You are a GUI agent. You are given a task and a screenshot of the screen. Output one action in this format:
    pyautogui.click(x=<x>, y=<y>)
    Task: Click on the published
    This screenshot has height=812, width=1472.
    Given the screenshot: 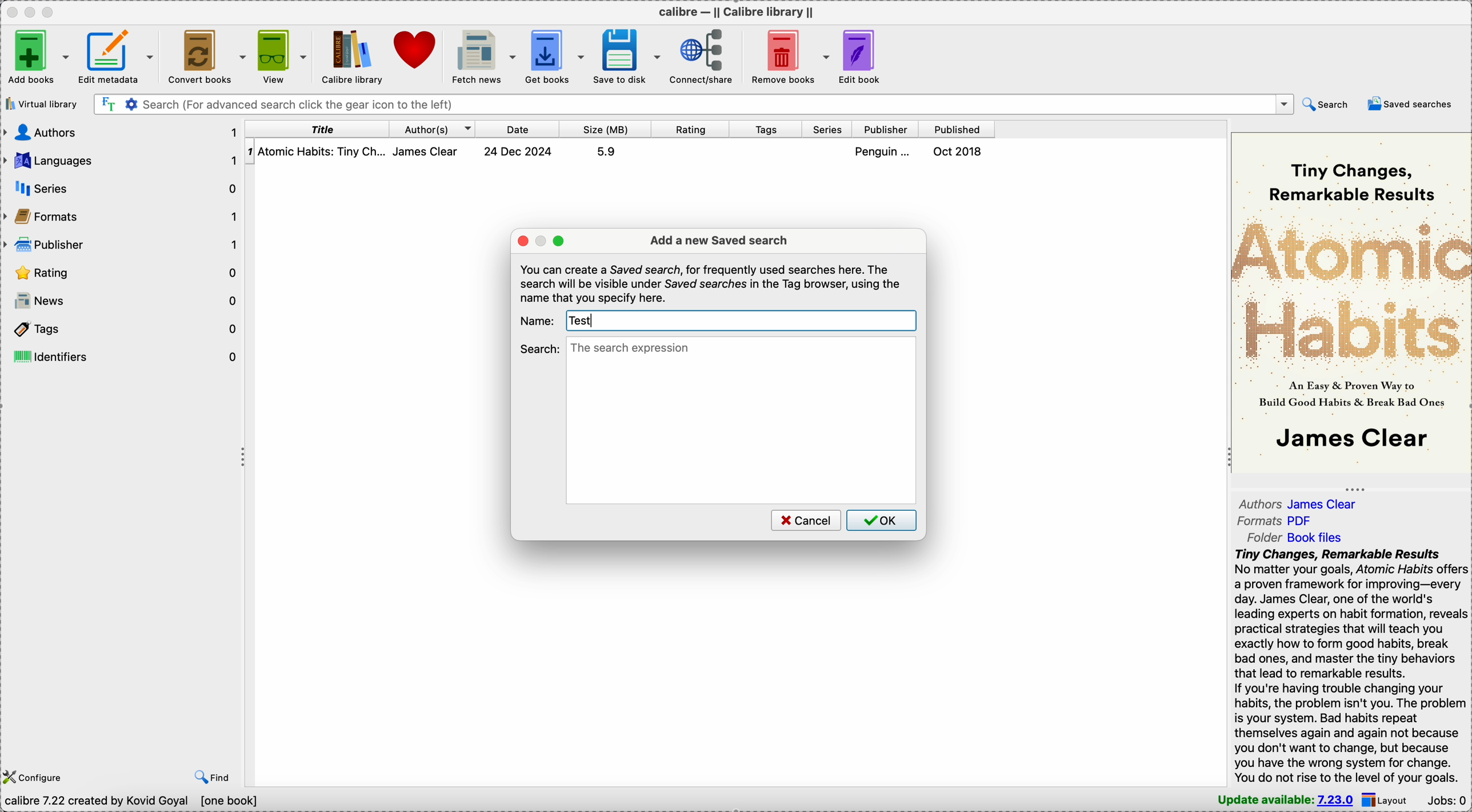 What is the action you would take?
    pyautogui.click(x=957, y=129)
    